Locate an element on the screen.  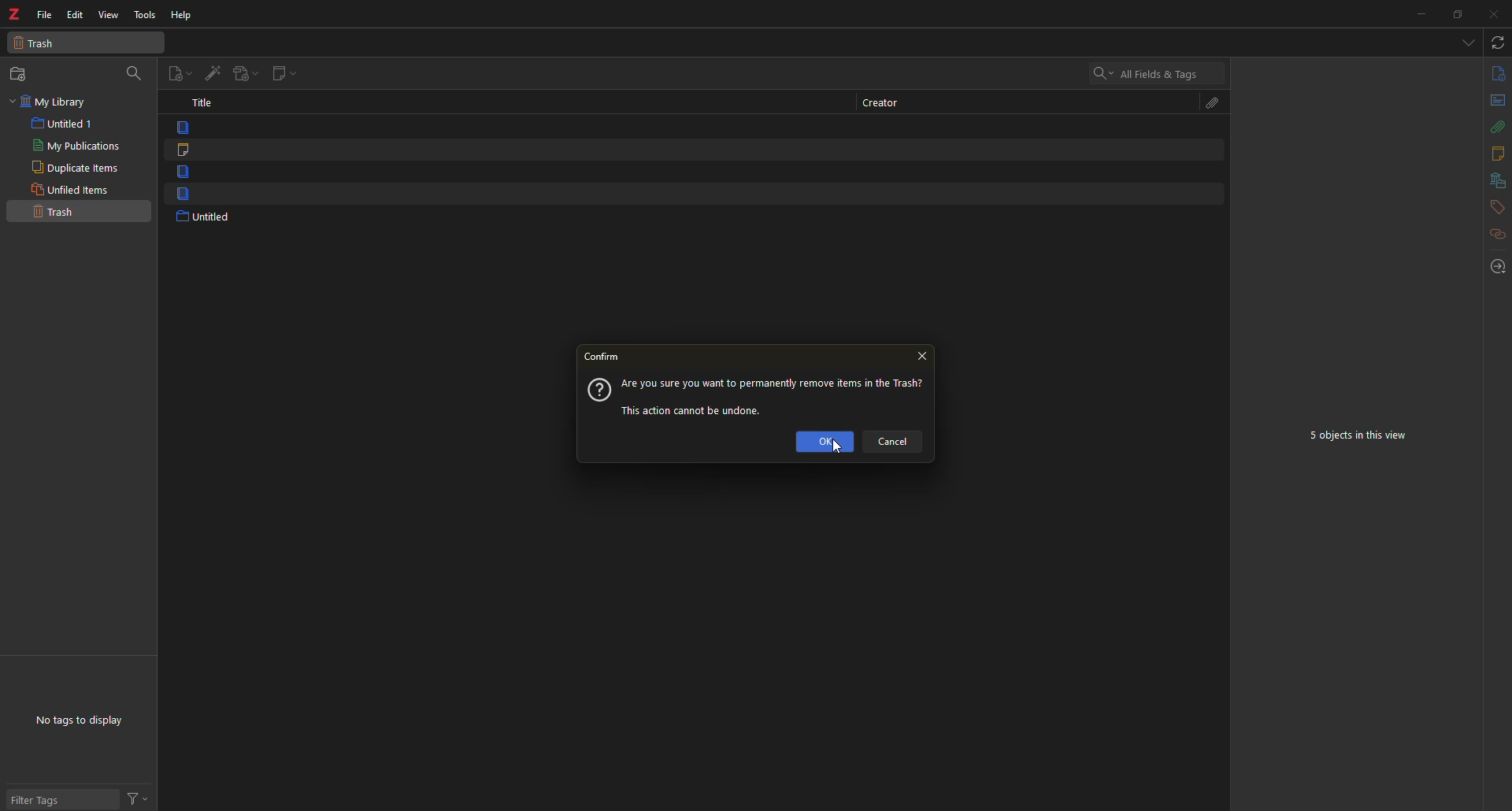
creator is located at coordinates (891, 103).